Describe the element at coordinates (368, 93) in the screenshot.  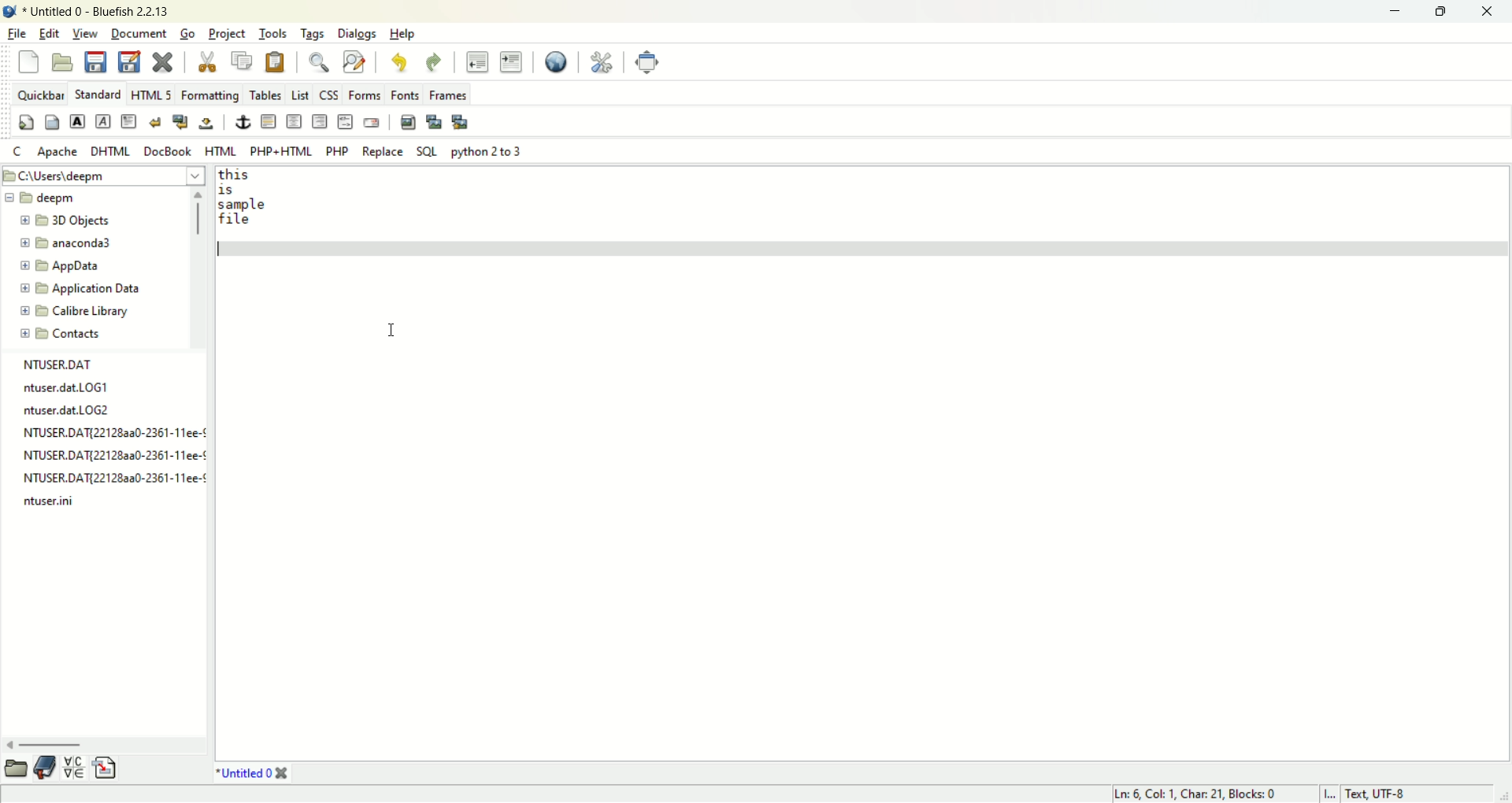
I see `forms` at that location.